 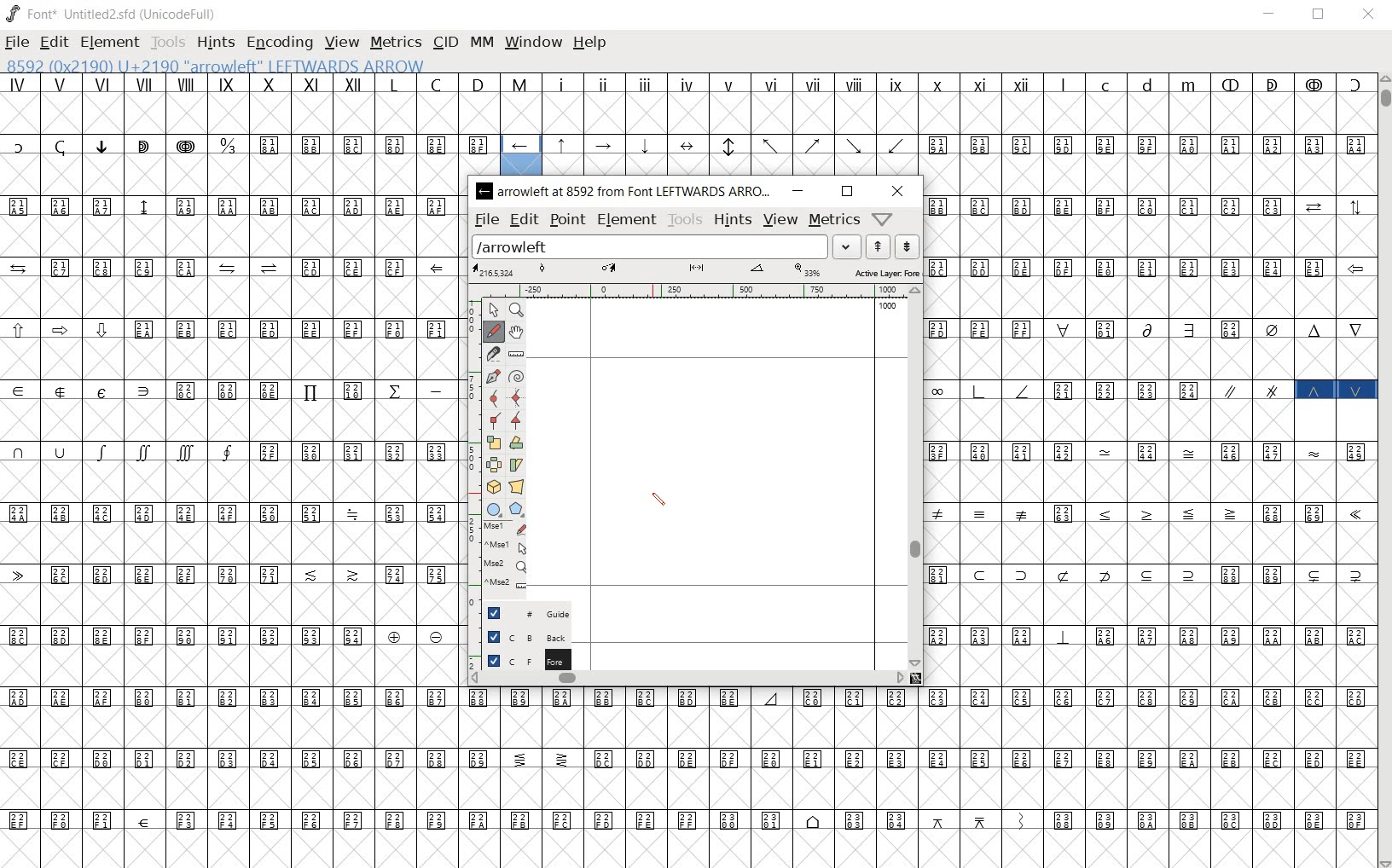 I want to click on Guide, so click(x=522, y=613).